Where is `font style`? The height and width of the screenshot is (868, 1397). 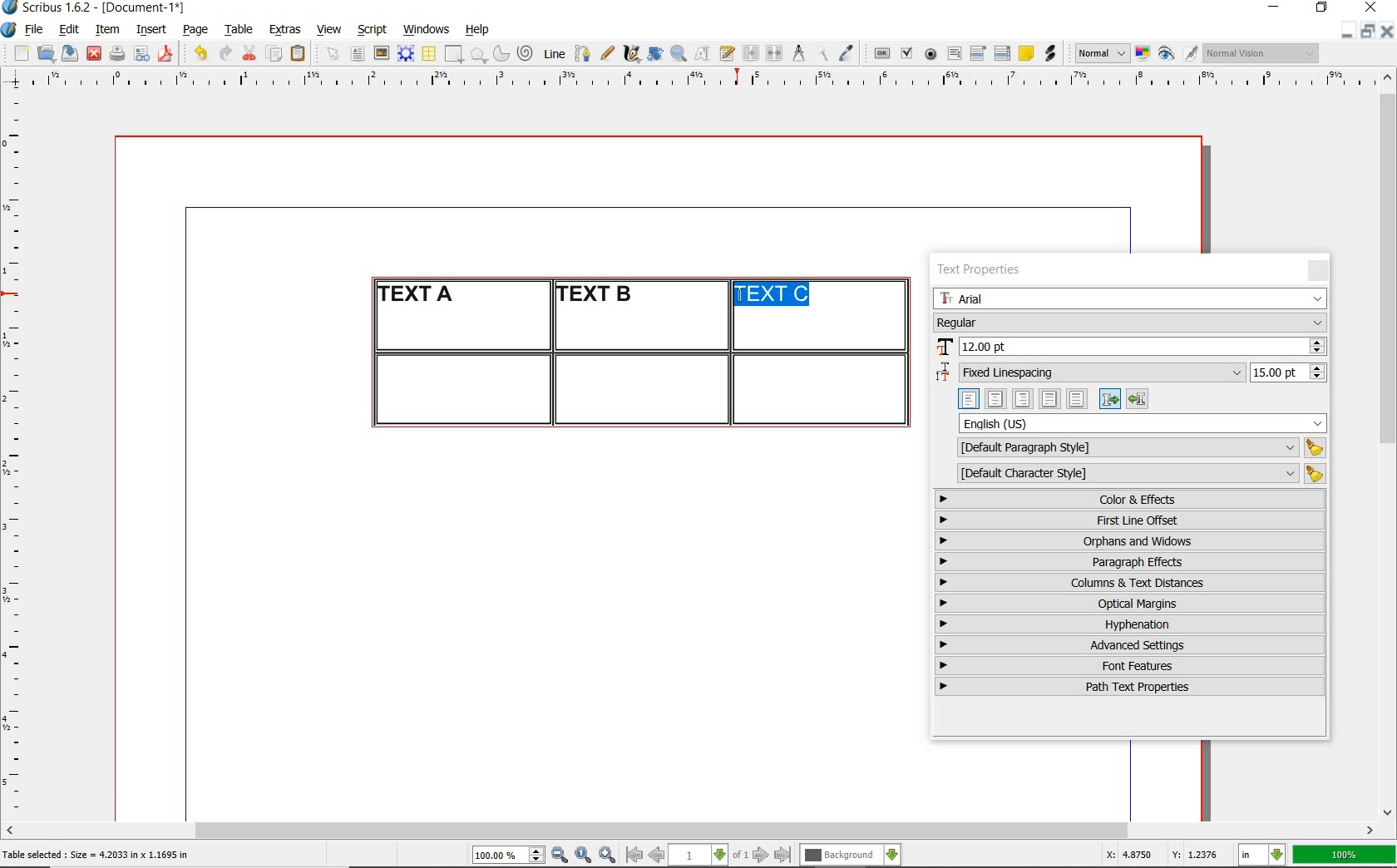 font style is located at coordinates (1130, 322).